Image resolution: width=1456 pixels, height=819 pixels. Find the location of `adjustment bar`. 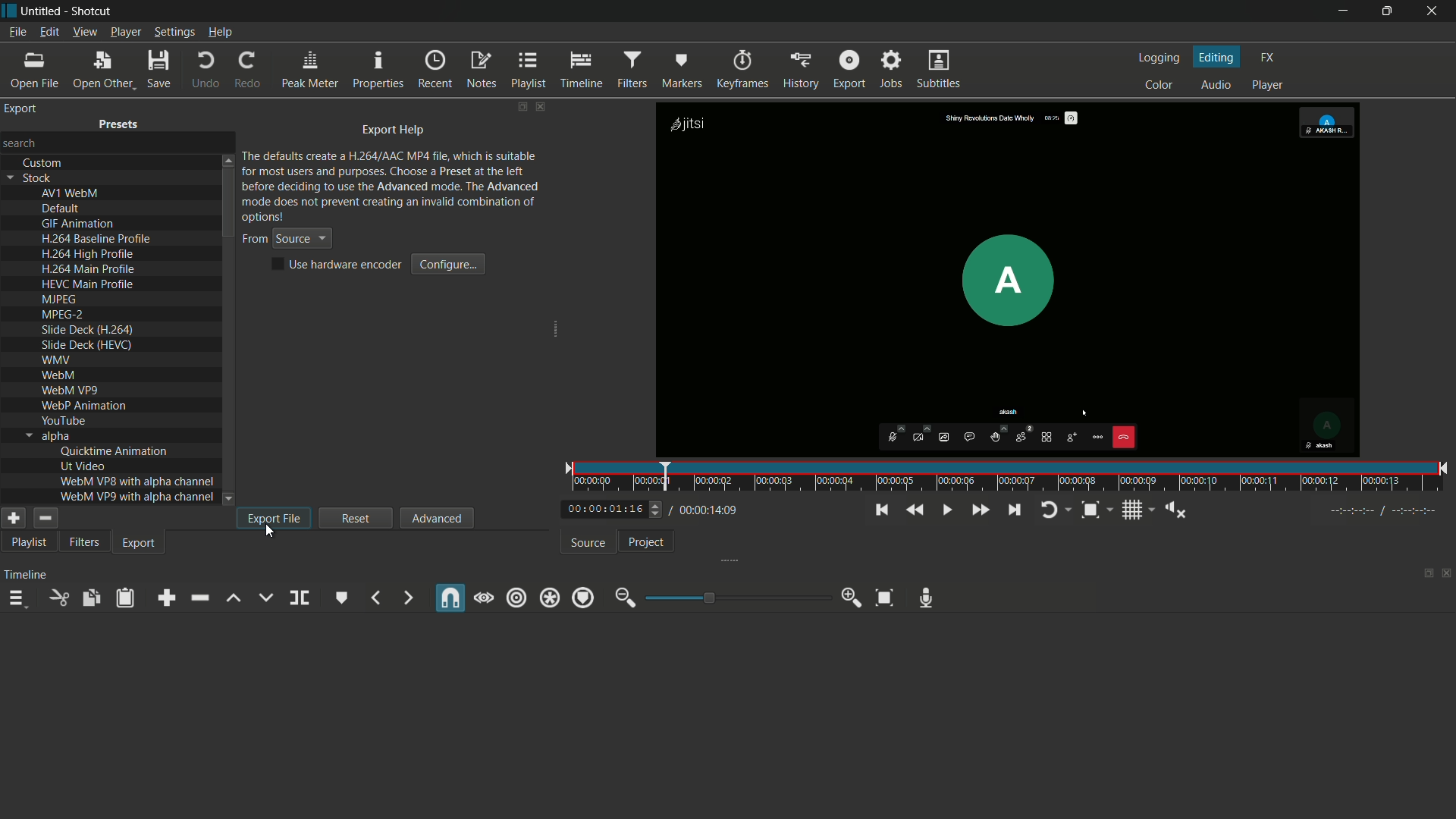

adjustment bar is located at coordinates (739, 597).